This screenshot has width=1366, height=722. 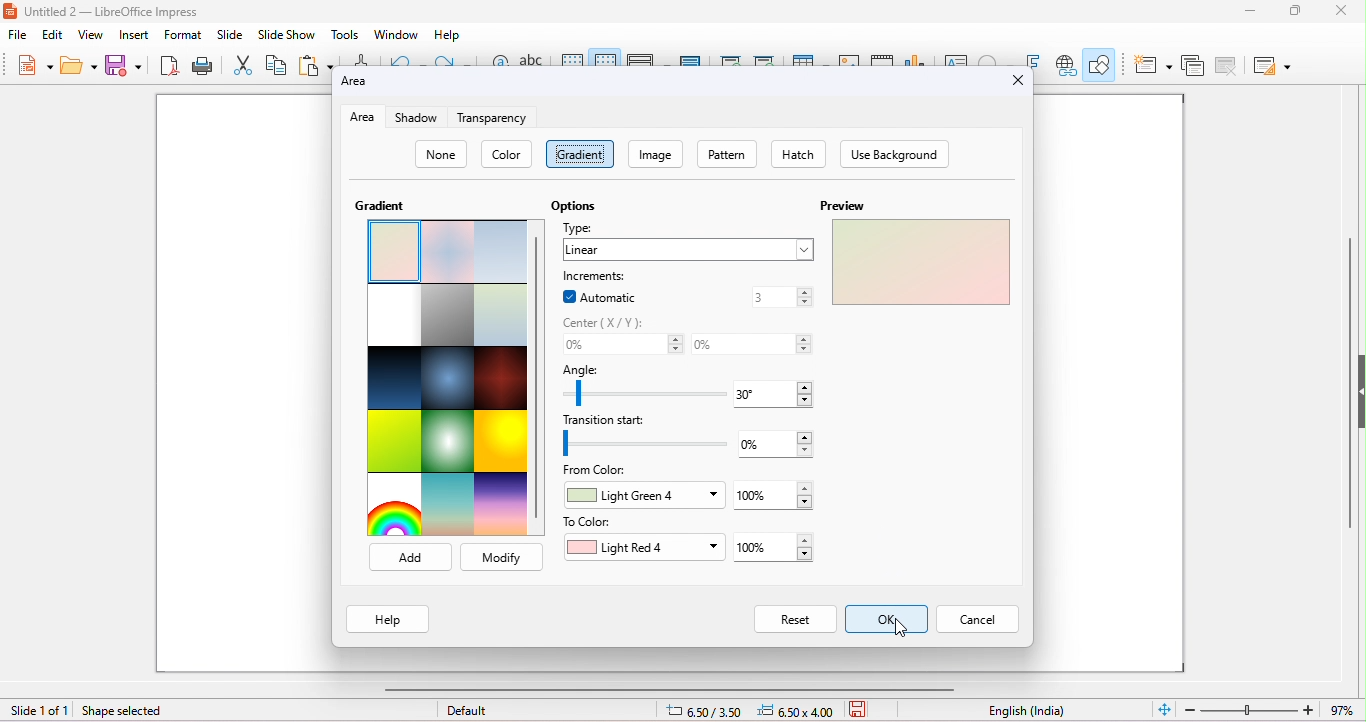 What do you see at coordinates (1101, 63) in the screenshot?
I see `show draw functions` at bounding box center [1101, 63].